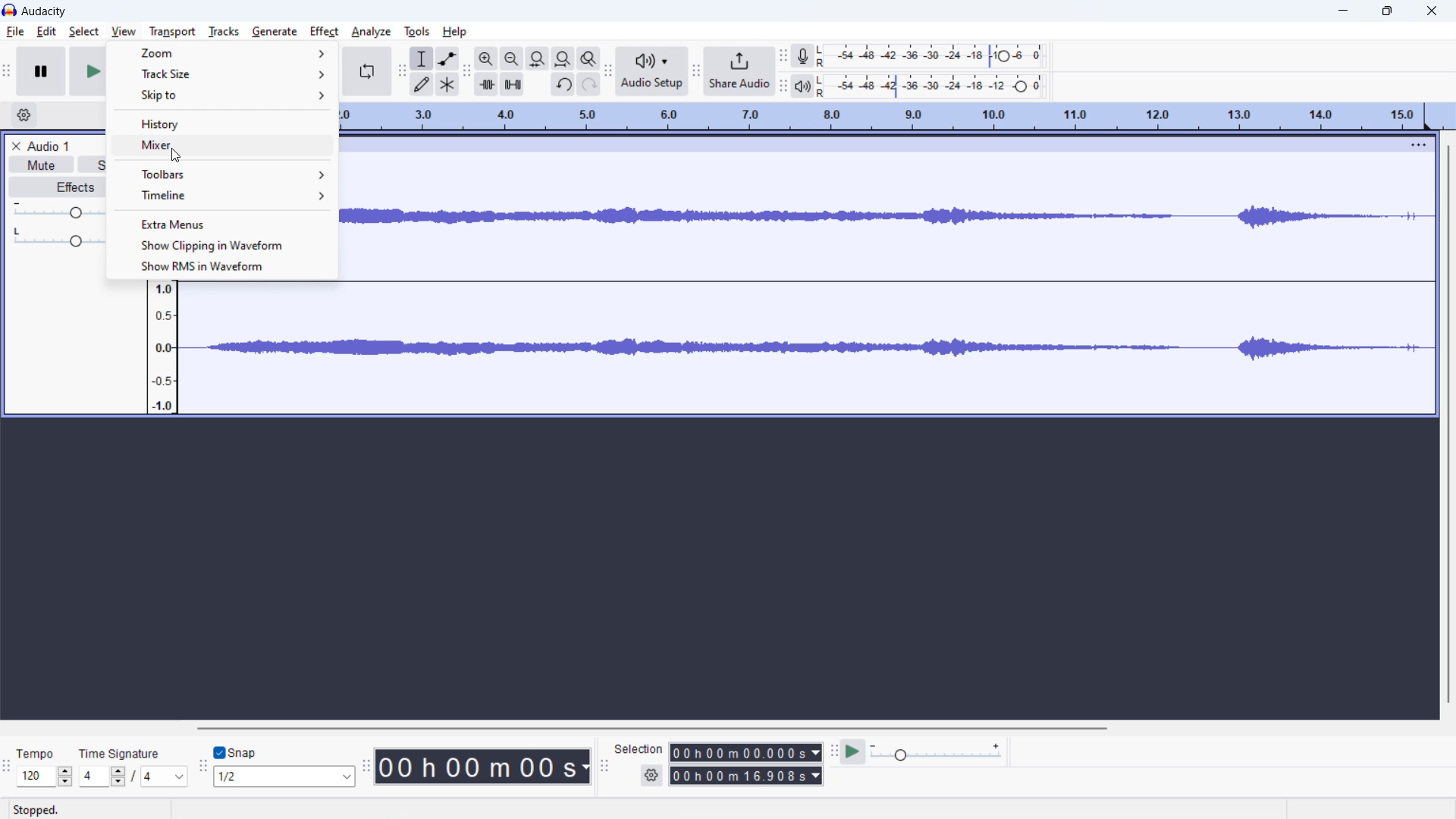  I want to click on vertical scrollbar, so click(1448, 426).